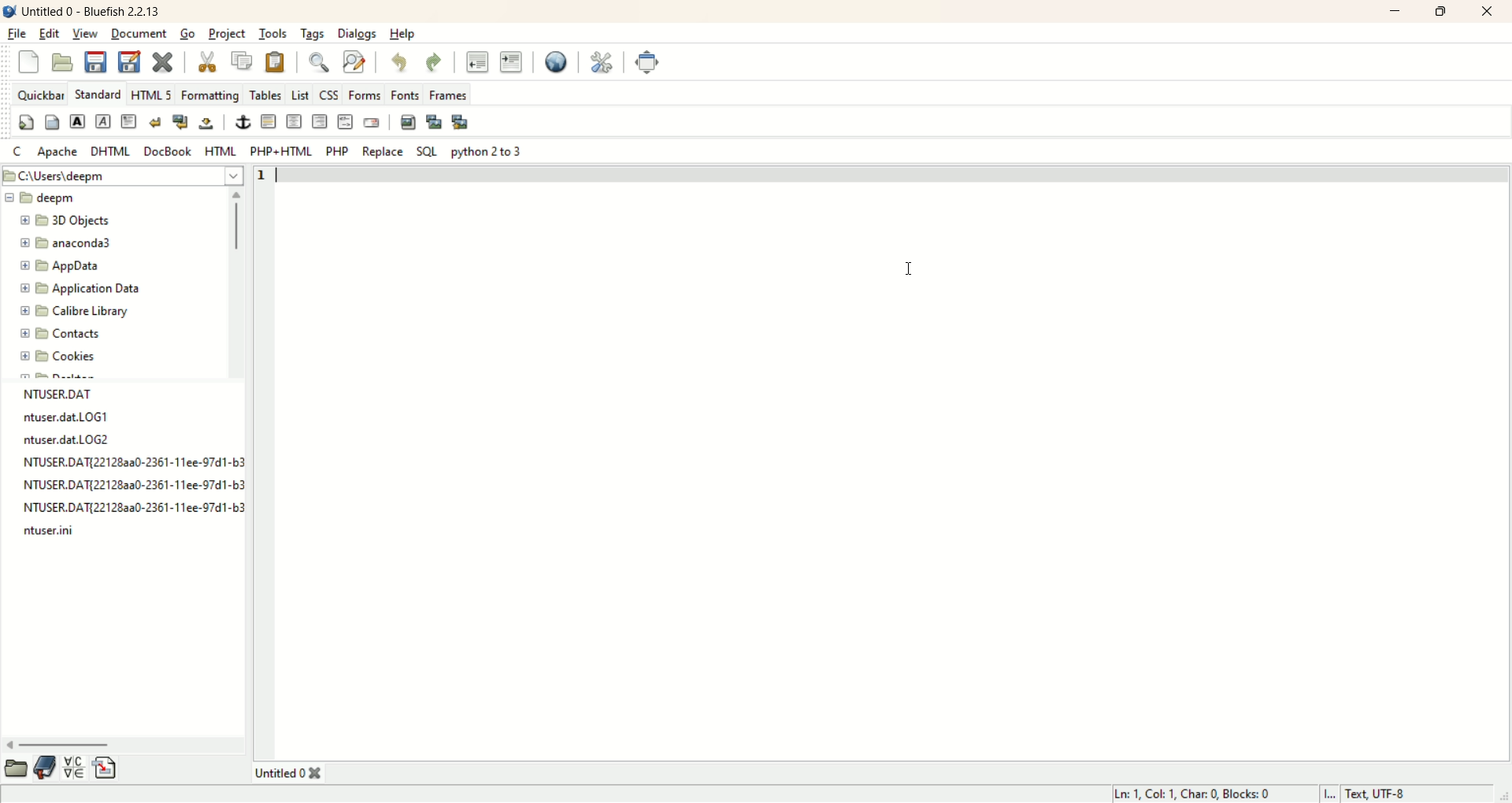 This screenshot has width=1512, height=803. What do you see at coordinates (74, 312) in the screenshot?
I see `calibre library` at bounding box center [74, 312].